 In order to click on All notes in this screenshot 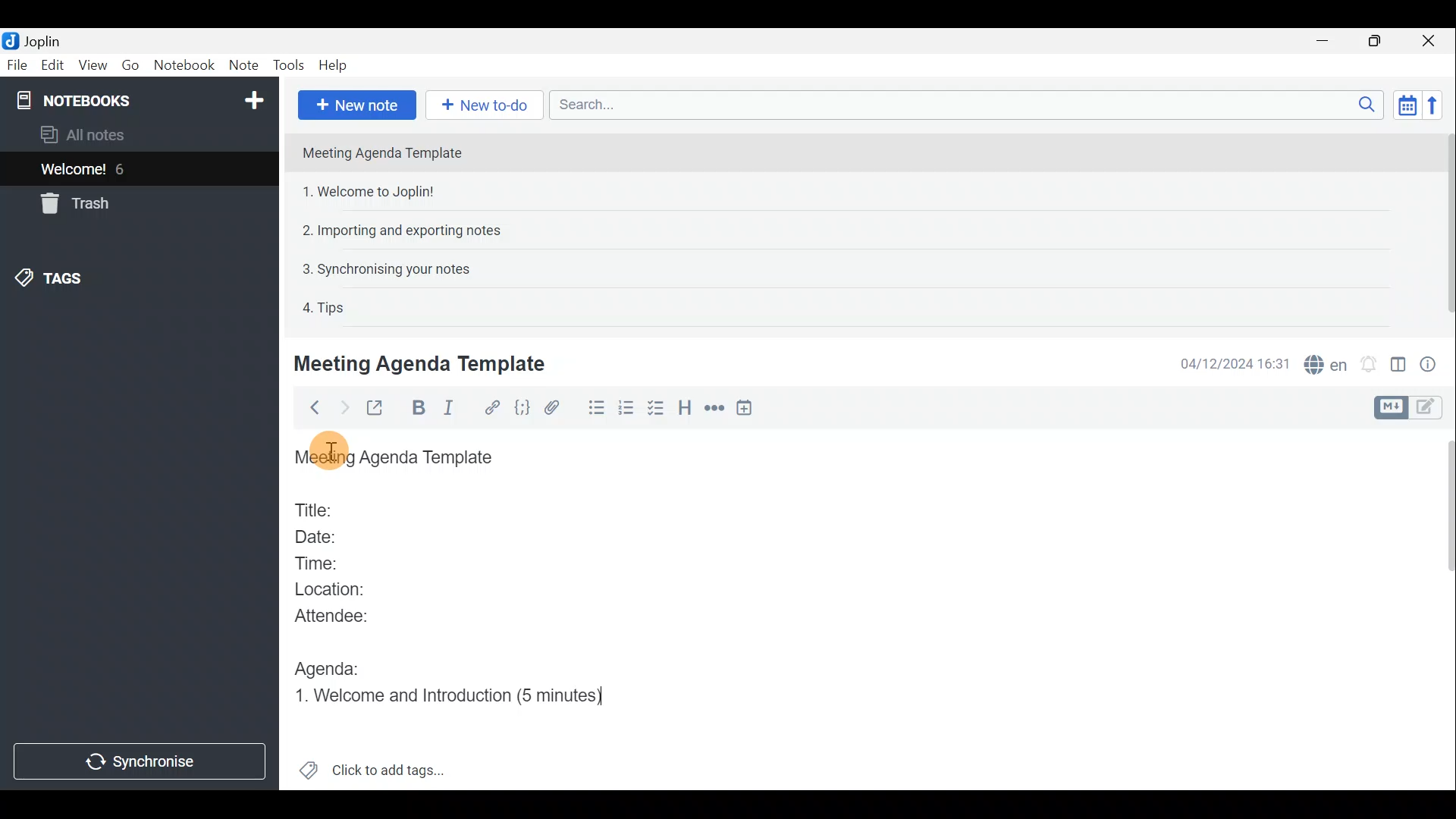, I will do `click(108, 134)`.